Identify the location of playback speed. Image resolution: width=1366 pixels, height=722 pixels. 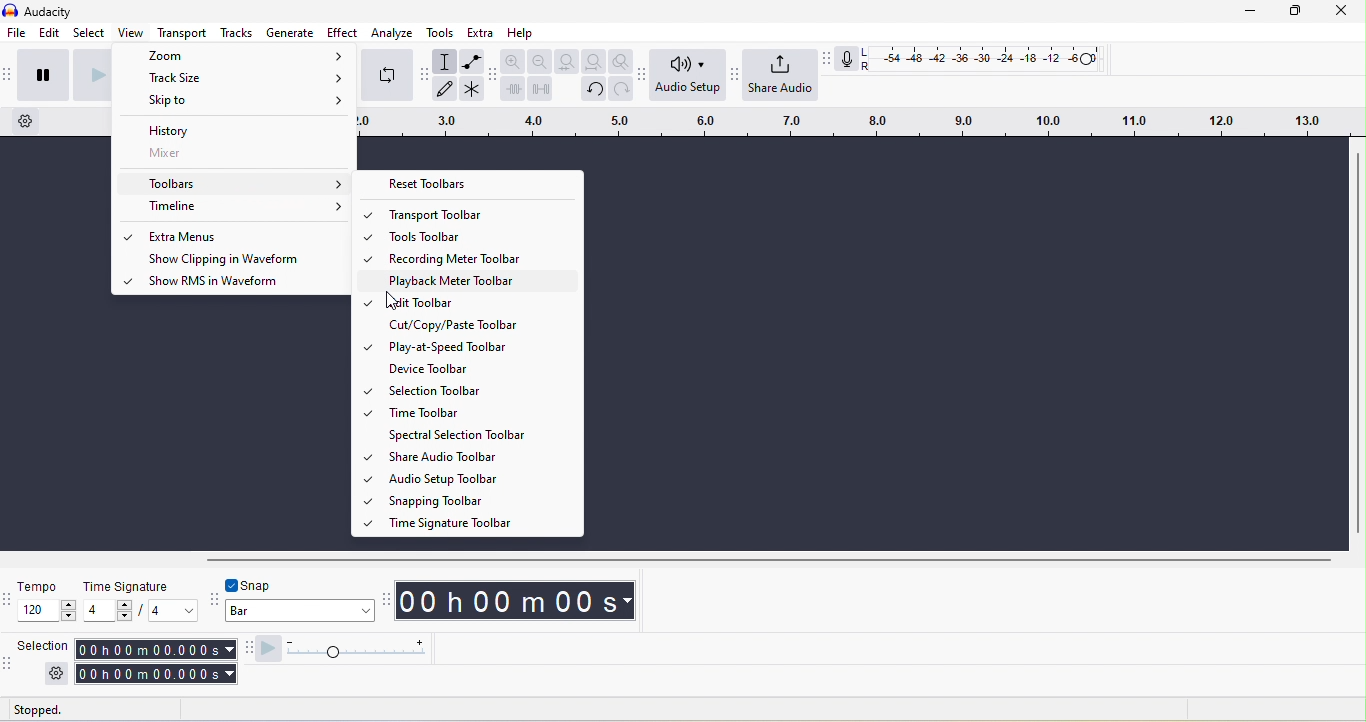
(355, 650).